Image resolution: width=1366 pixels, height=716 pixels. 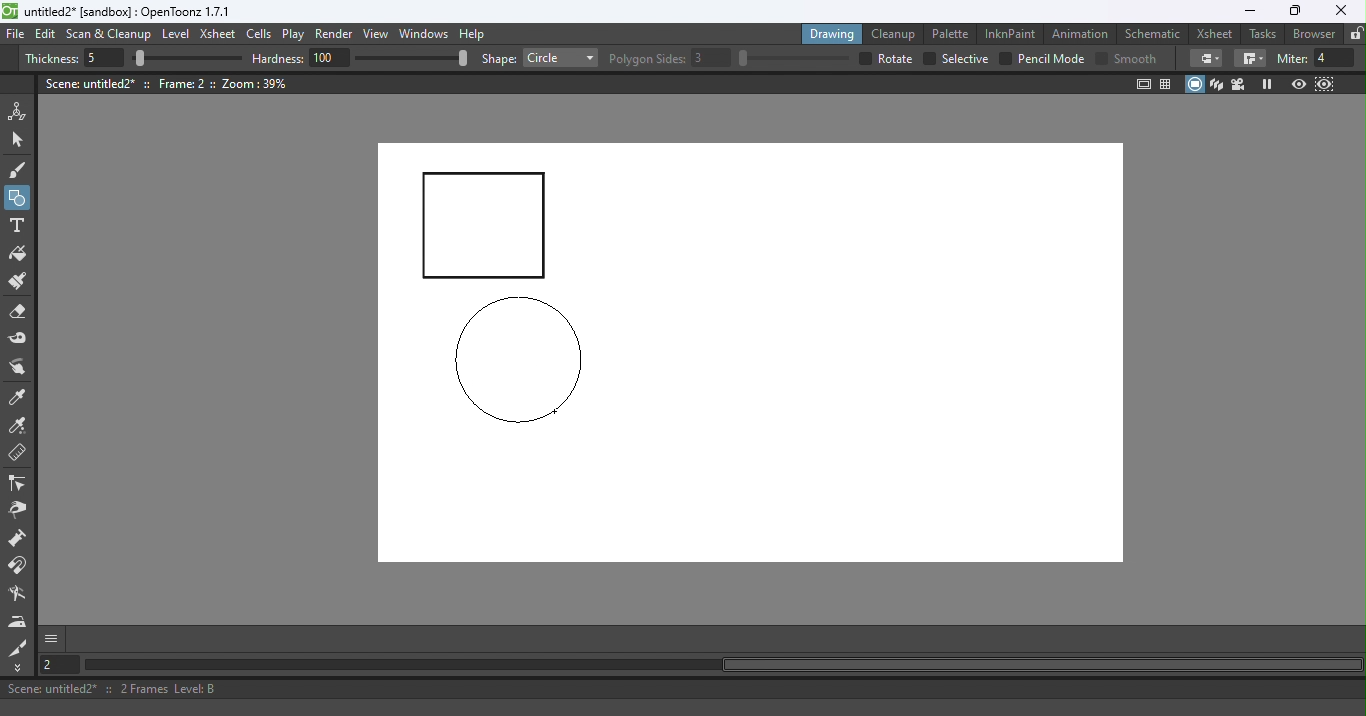 What do you see at coordinates (1218, 84) in the screenshot?
I see `3D View` at bounding box center [1218, 84].